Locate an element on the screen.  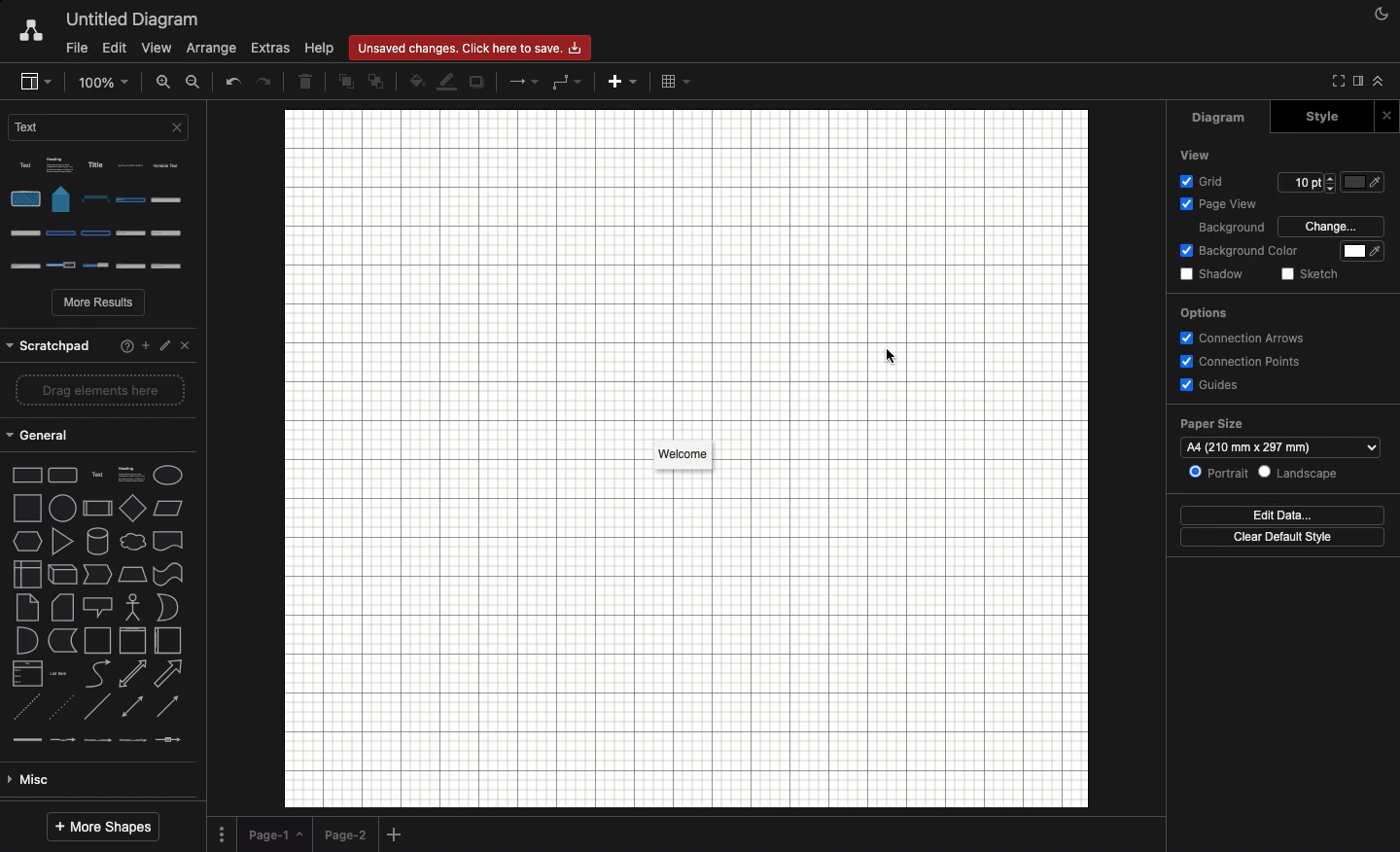
Zoom is located at coordinates (105, 81).